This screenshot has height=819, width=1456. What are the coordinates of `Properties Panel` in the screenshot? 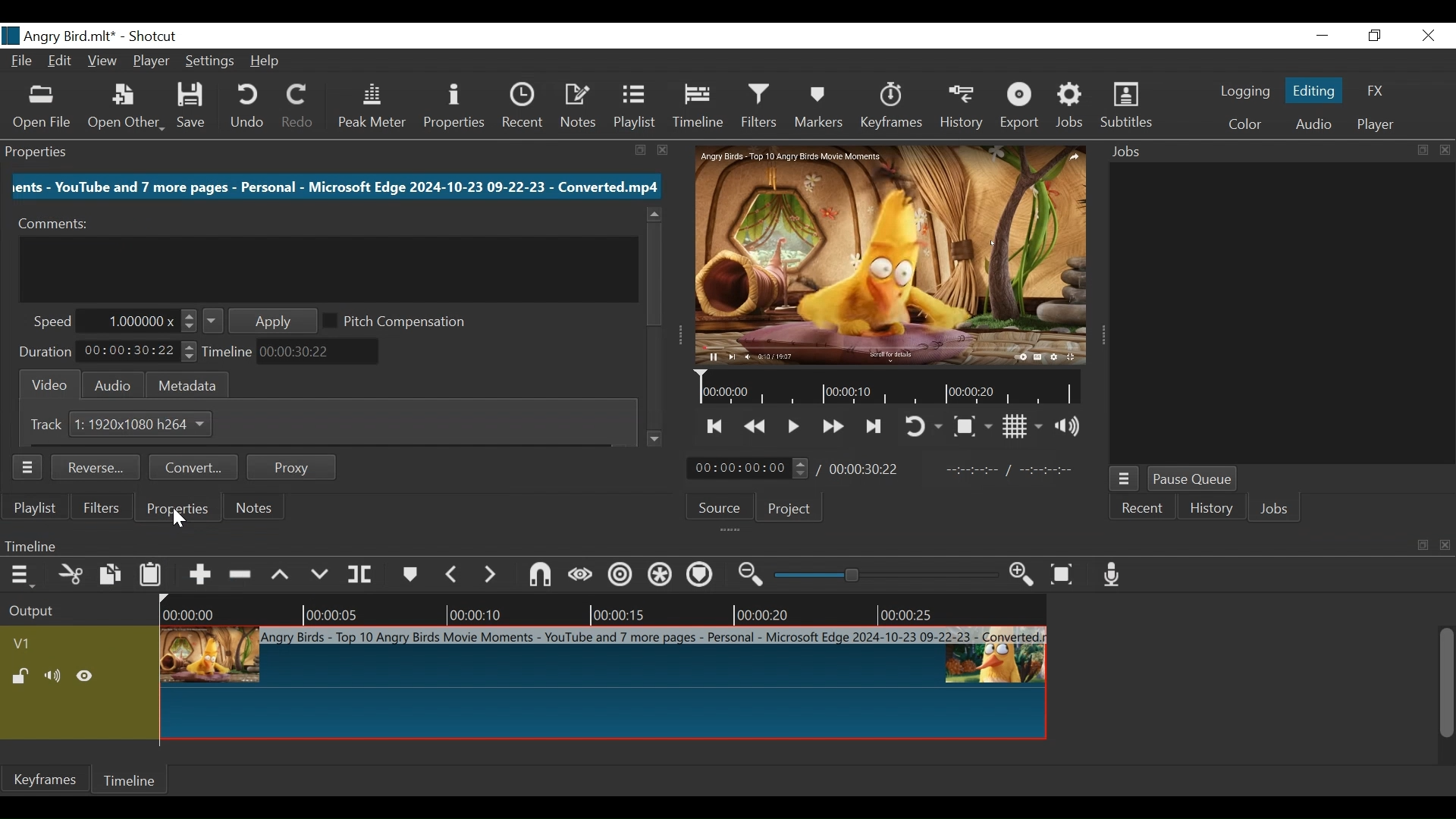 It's located at (337, 149).